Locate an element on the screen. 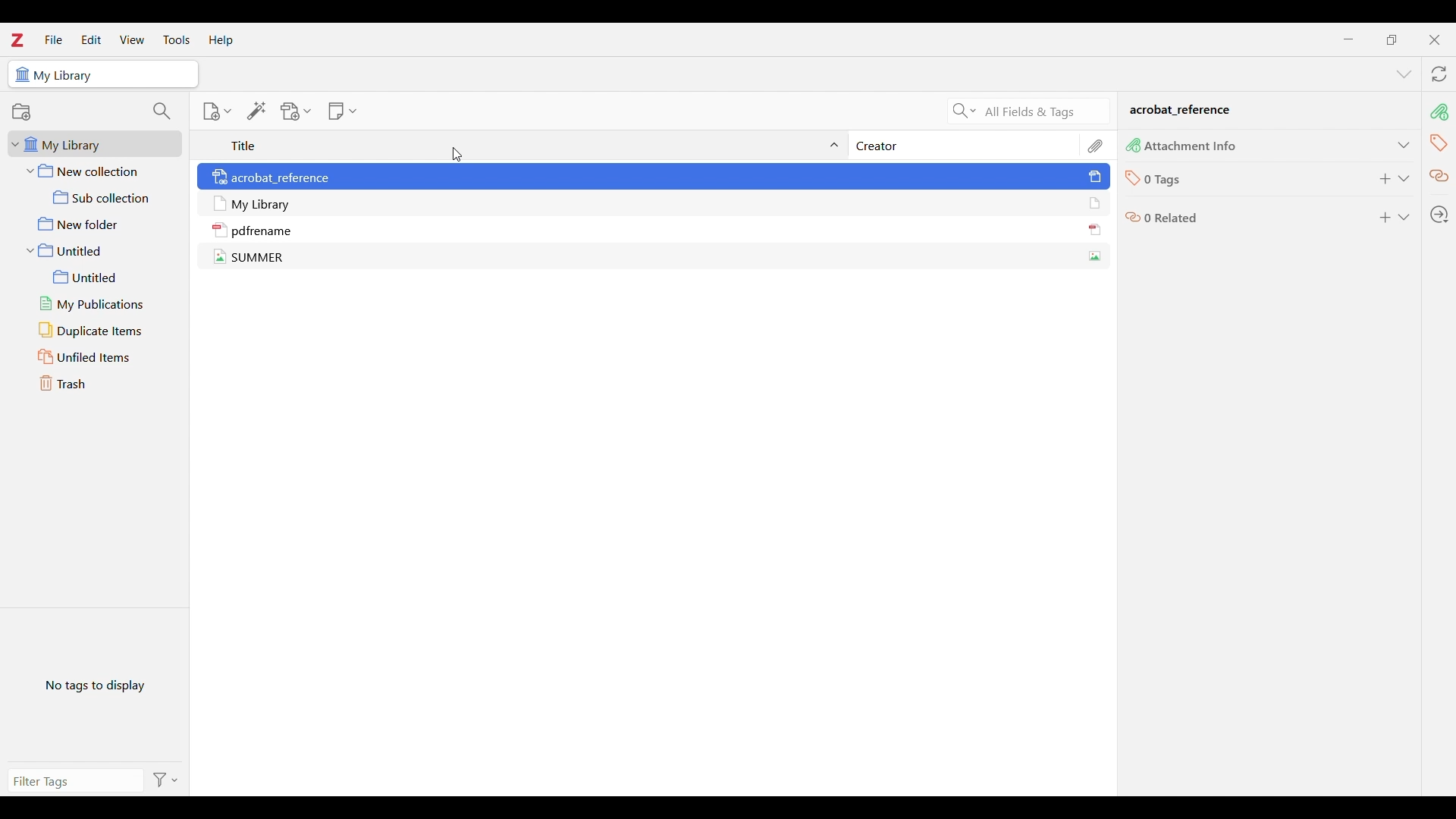 This screenshot has height=819, width=1456. icon is located at coordinates (1133, 219).